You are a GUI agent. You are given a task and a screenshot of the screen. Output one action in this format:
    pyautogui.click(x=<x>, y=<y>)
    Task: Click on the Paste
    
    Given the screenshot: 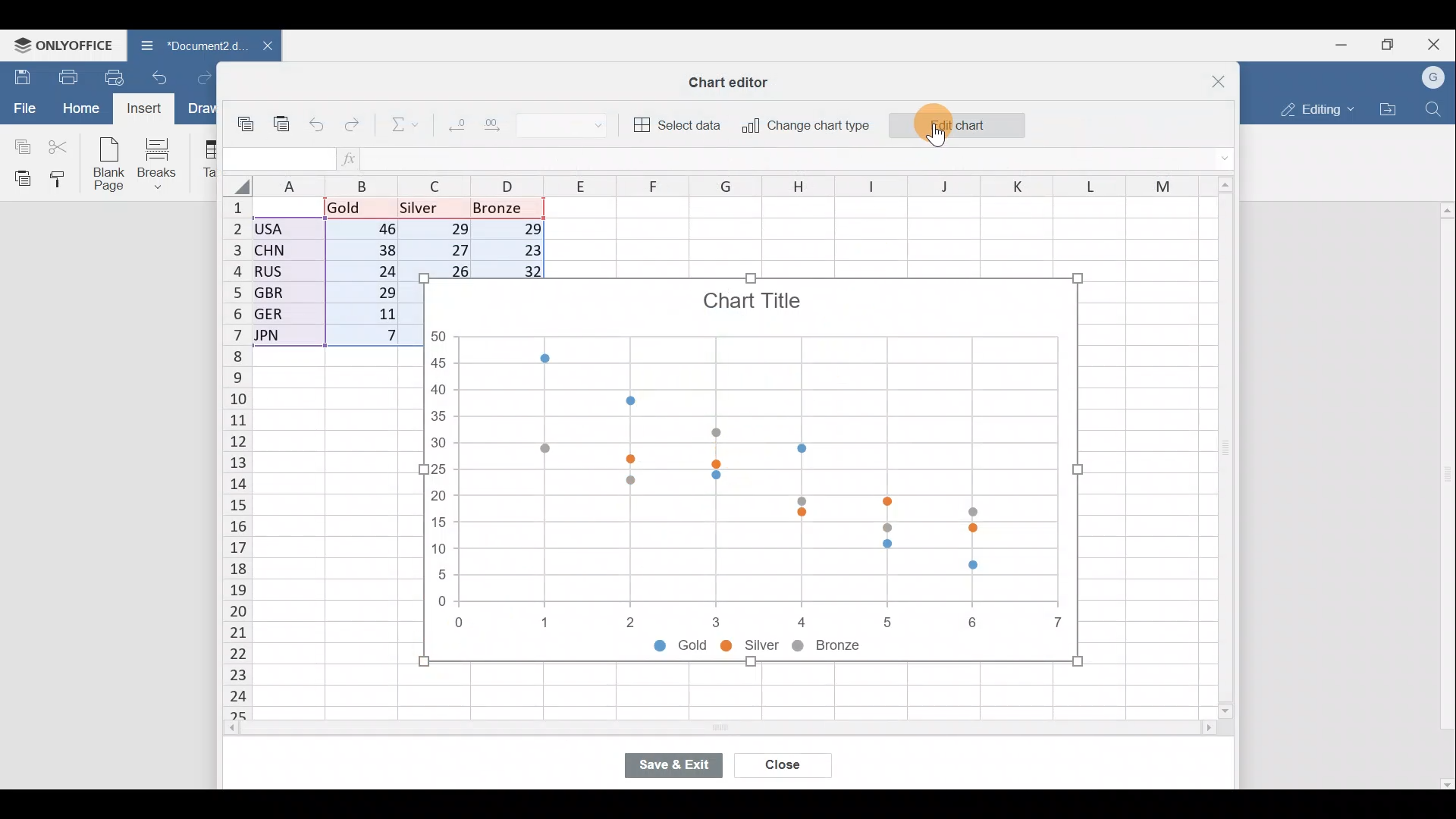 What is the action you would take?
    pyautogui.click(x=19, y=178)
    